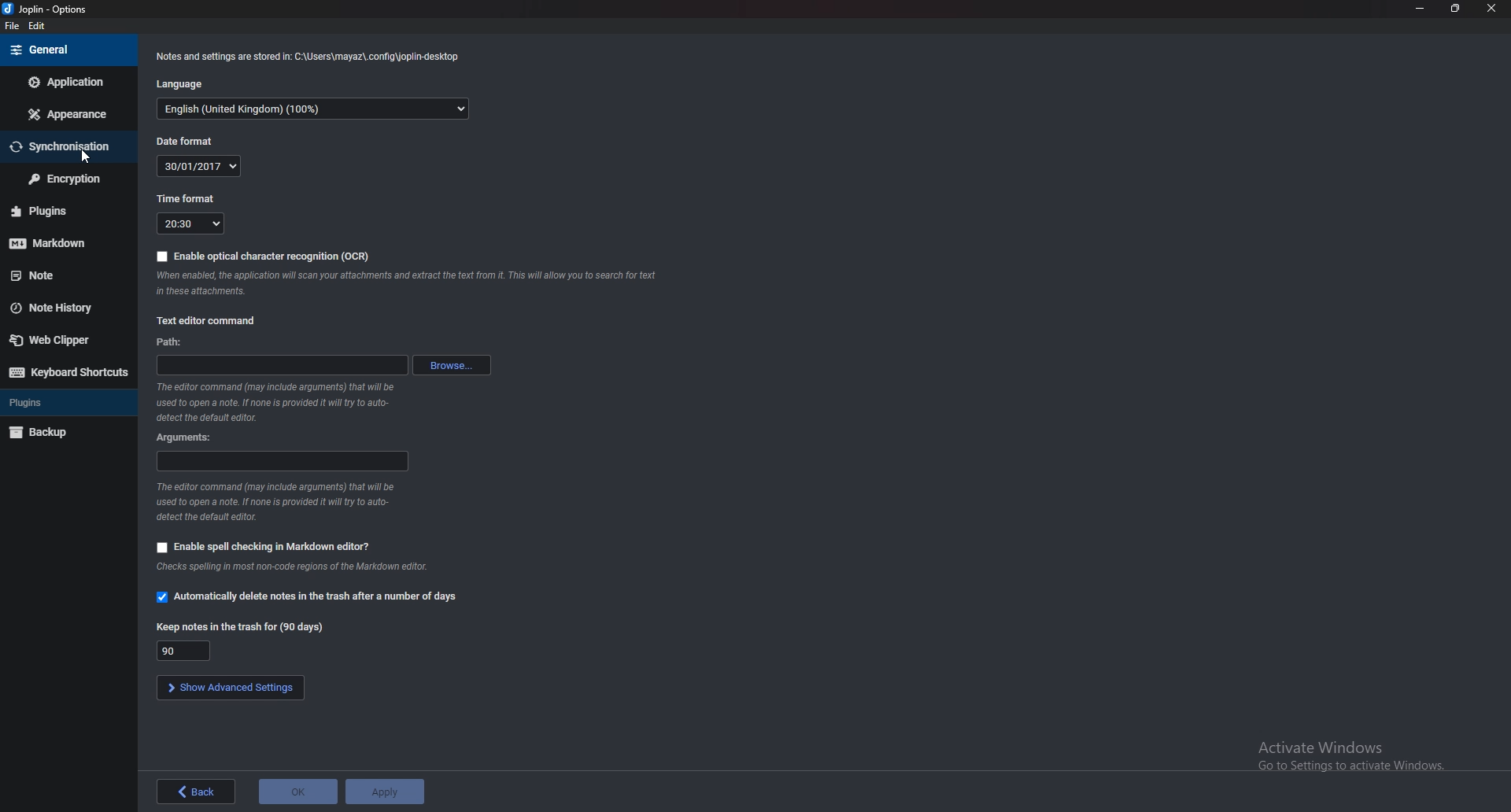 The width and height of the screenshot is (1511, 812). What do you see at coordinates (167, 342) in the screenshot?
I see `path` at bounding box center [167, 342].